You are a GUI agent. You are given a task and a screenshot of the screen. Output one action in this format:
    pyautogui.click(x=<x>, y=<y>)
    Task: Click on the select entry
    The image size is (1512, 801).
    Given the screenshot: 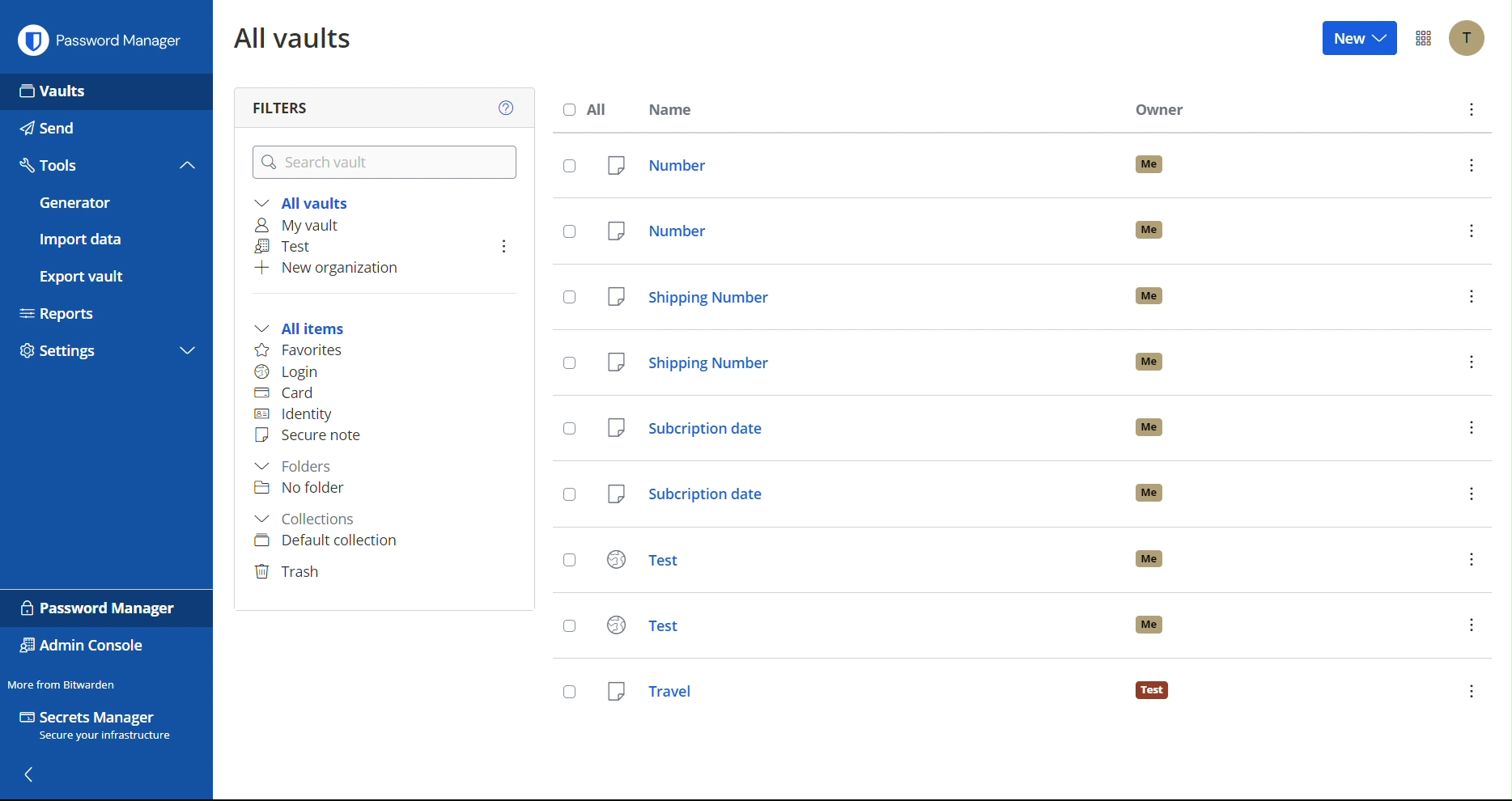 What is the action you would take?
    pyautogui.click(x=569, y=625)
    